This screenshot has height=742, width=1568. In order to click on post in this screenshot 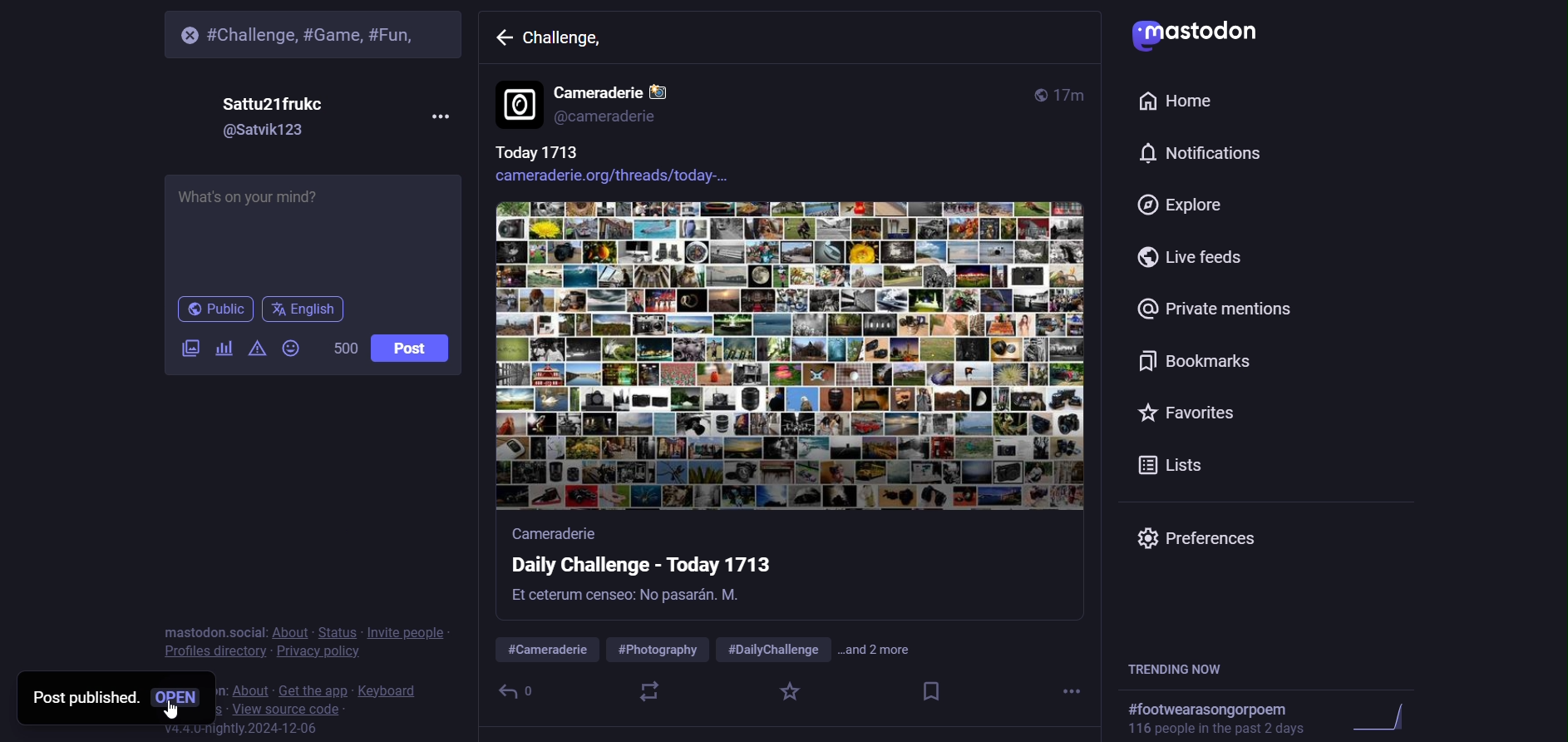, I will do `click(411, 348)`.